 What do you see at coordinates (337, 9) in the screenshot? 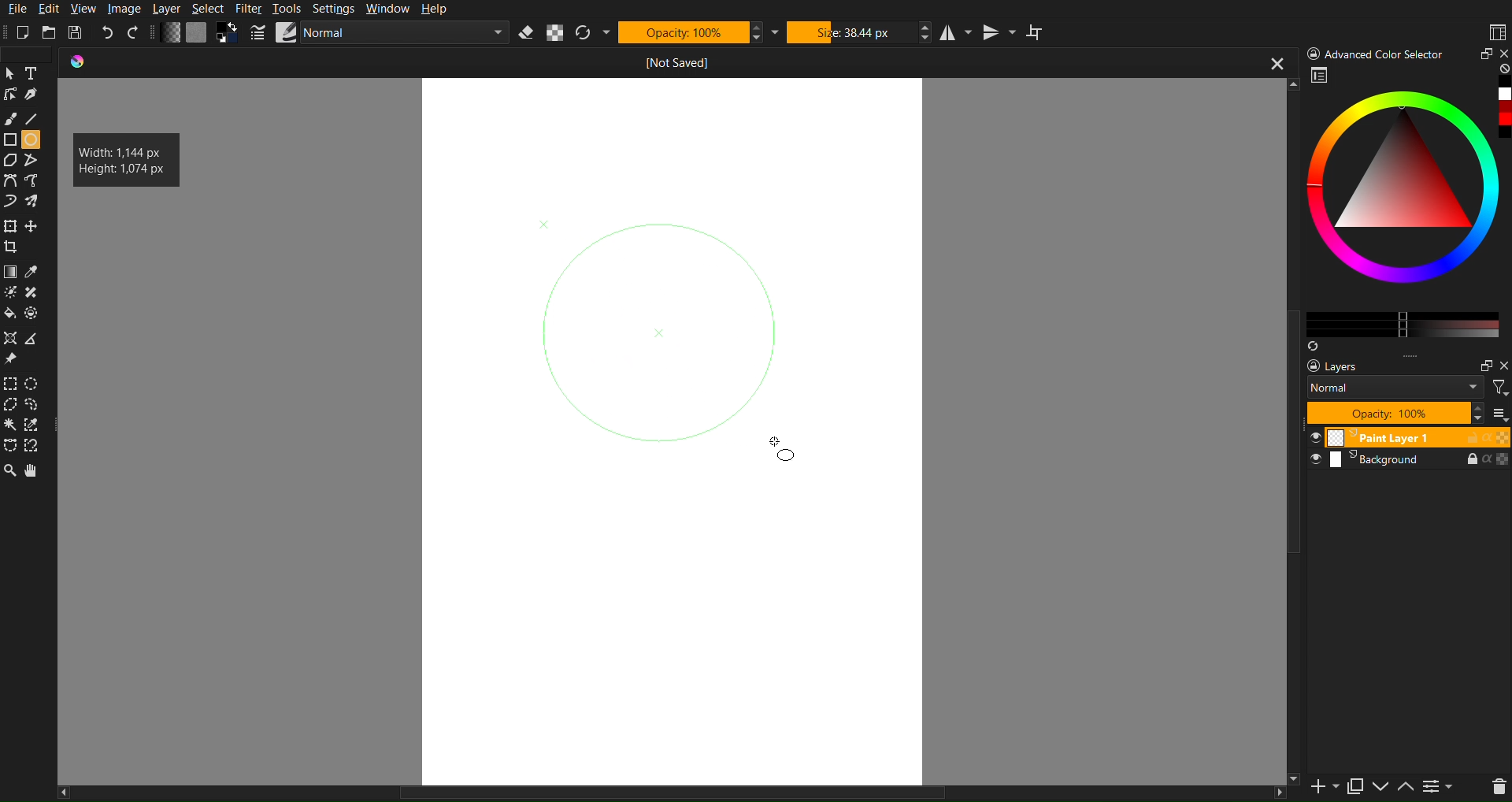
I see `Settings` at bounding box center [337, 9].